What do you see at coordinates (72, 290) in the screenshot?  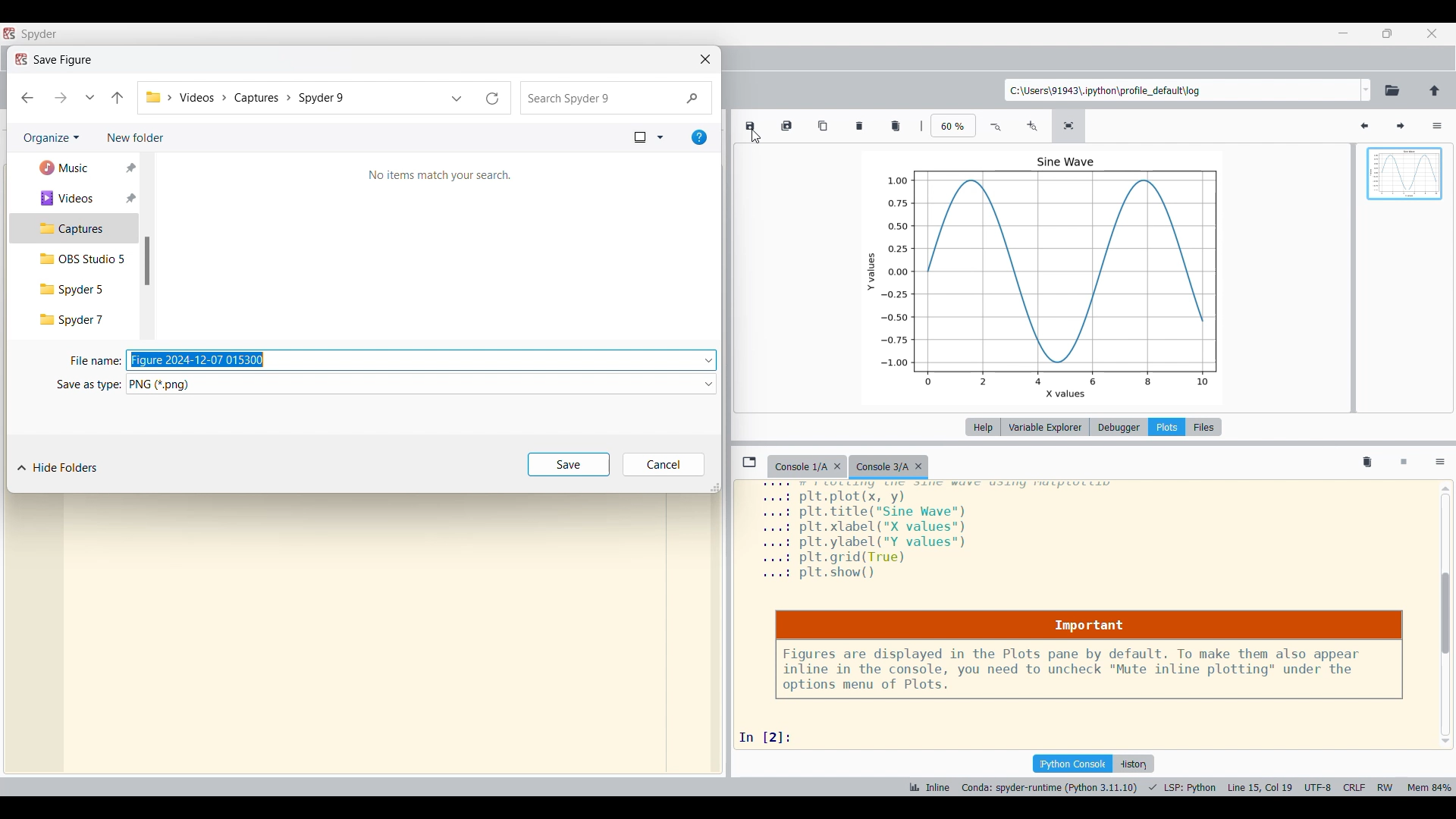 I see `Spyder 5` at bounding box center [72, 290].